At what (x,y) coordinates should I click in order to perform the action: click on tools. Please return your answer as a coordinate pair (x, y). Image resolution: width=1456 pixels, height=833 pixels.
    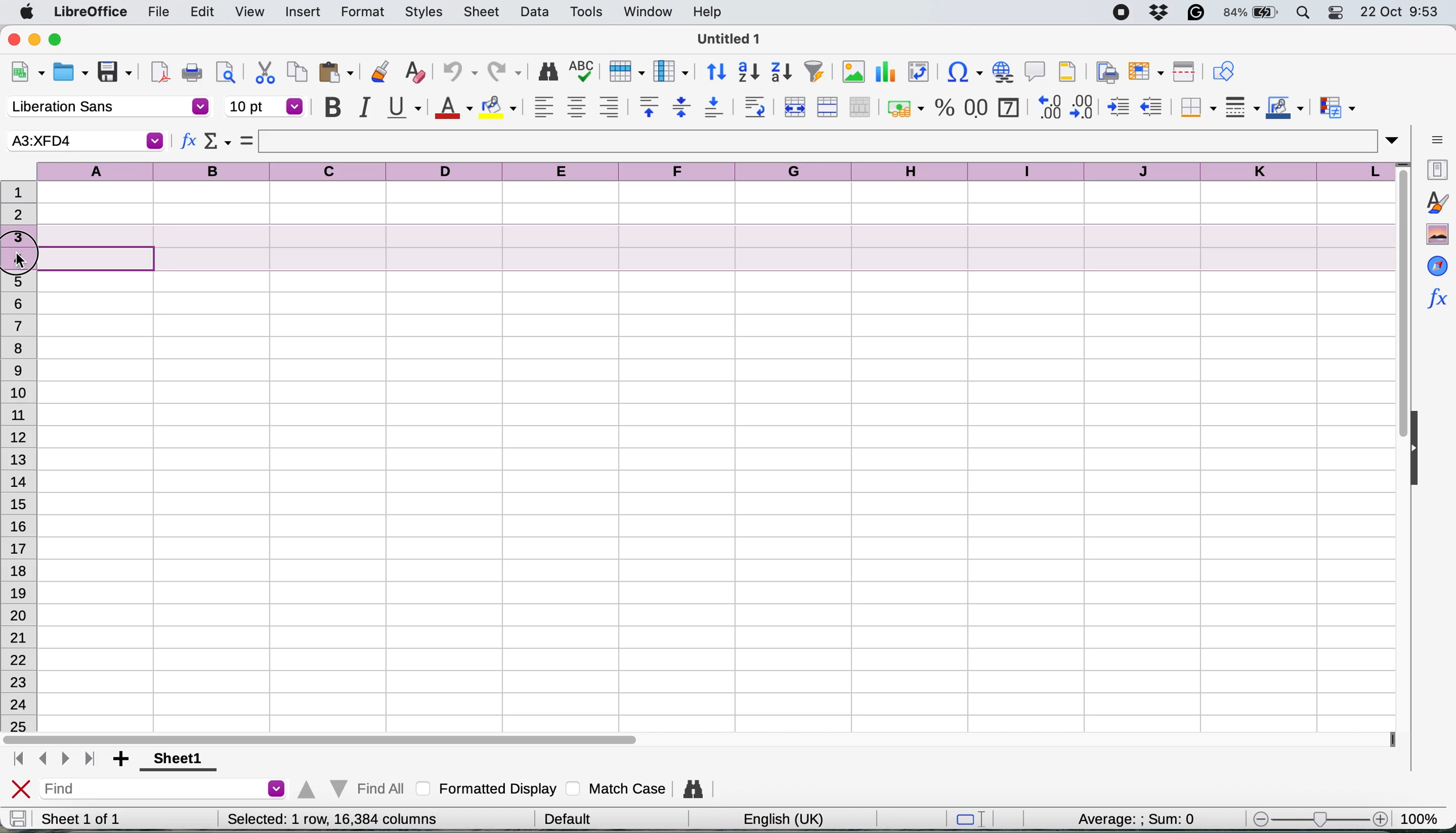
    Looking at the image, I should click on (590, 11).